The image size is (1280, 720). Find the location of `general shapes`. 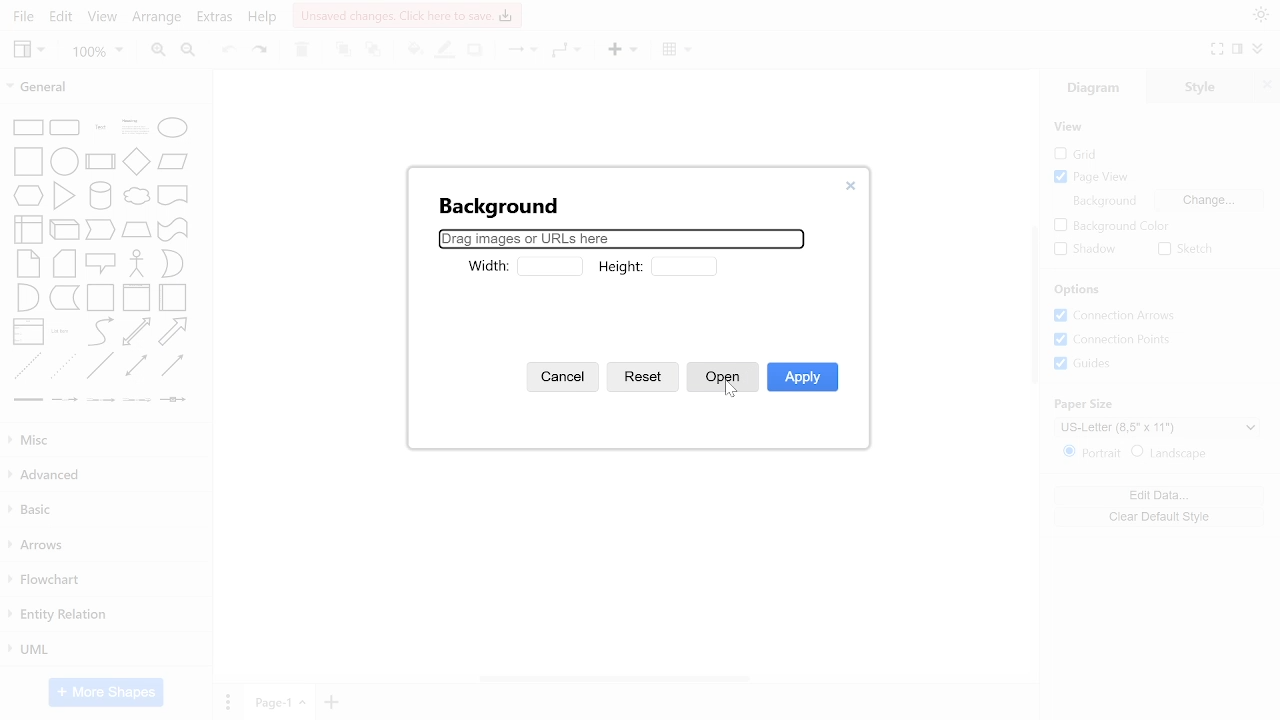

general shapes is located at coordinates (130, 125).